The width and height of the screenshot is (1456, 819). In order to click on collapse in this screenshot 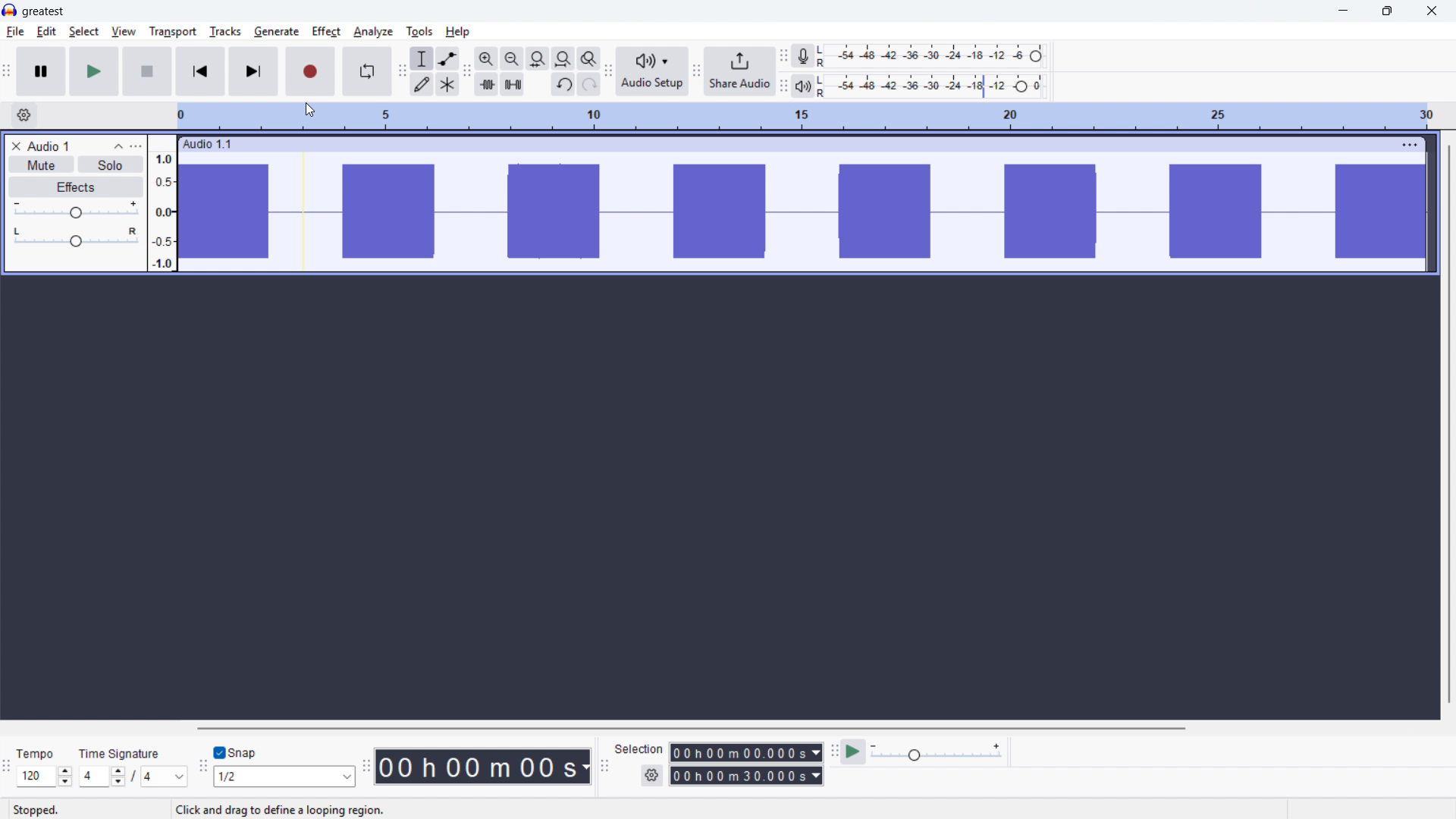, I will do `click(118, 146)`.